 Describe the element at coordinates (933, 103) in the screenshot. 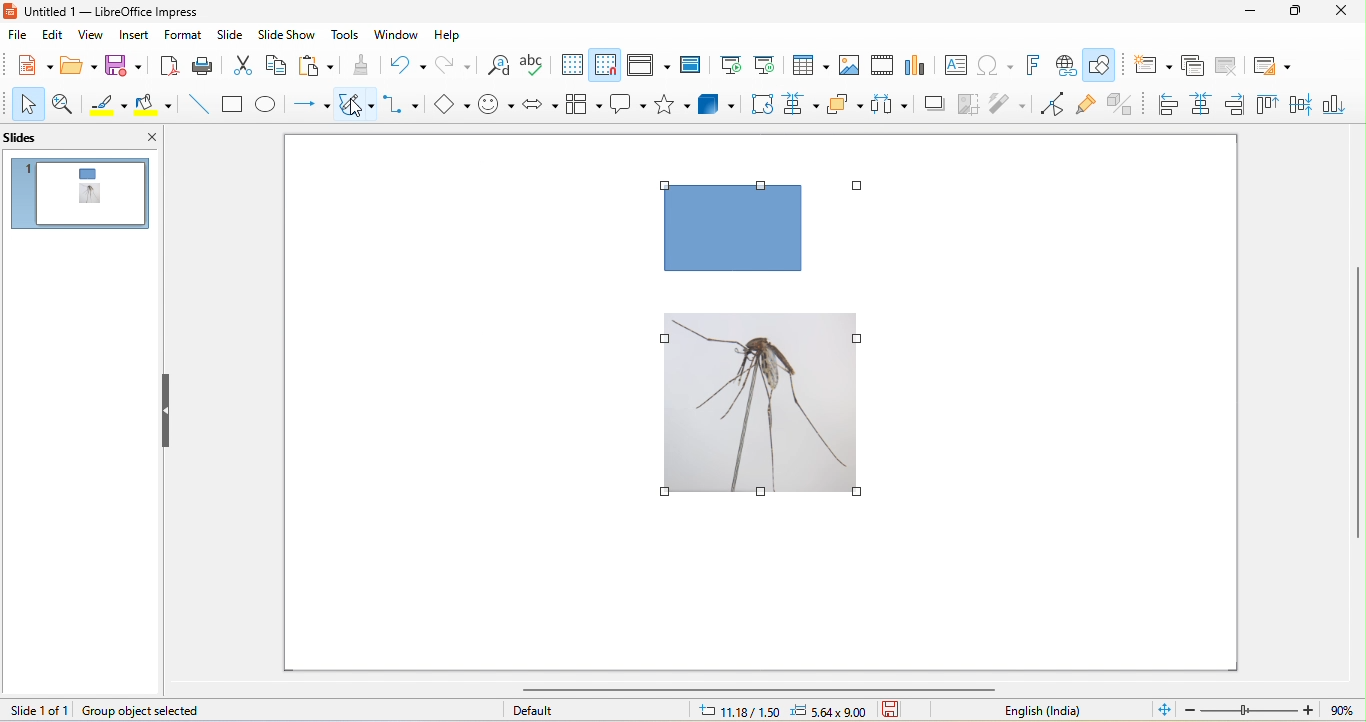

I see `shadow` at that location.